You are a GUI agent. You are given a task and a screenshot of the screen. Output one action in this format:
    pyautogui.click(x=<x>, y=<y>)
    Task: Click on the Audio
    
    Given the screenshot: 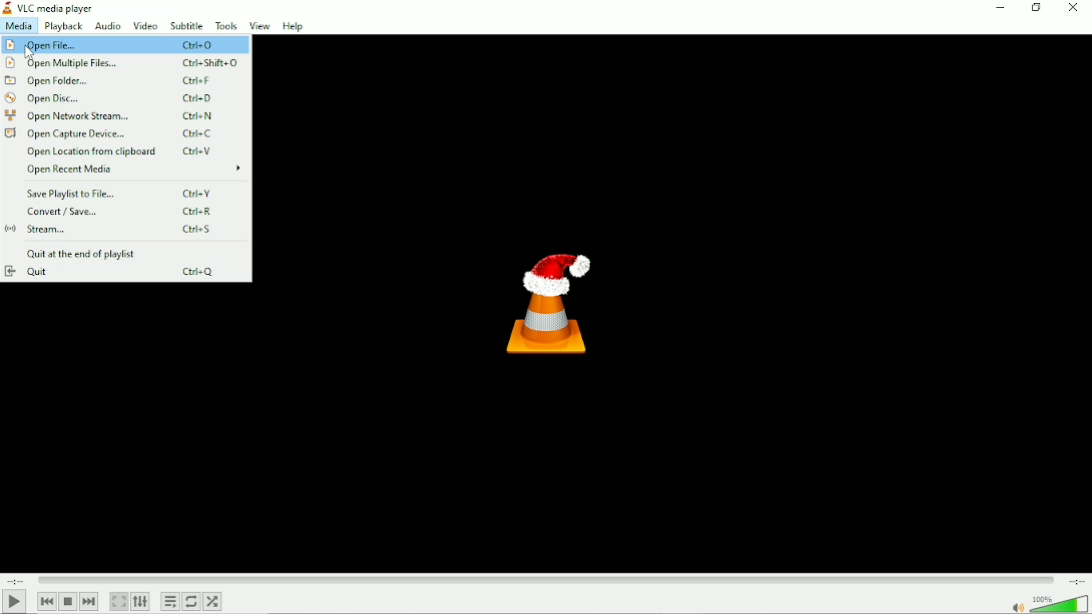 What is the action you would take?
    pyautogui.click(x=107, y=26)
    